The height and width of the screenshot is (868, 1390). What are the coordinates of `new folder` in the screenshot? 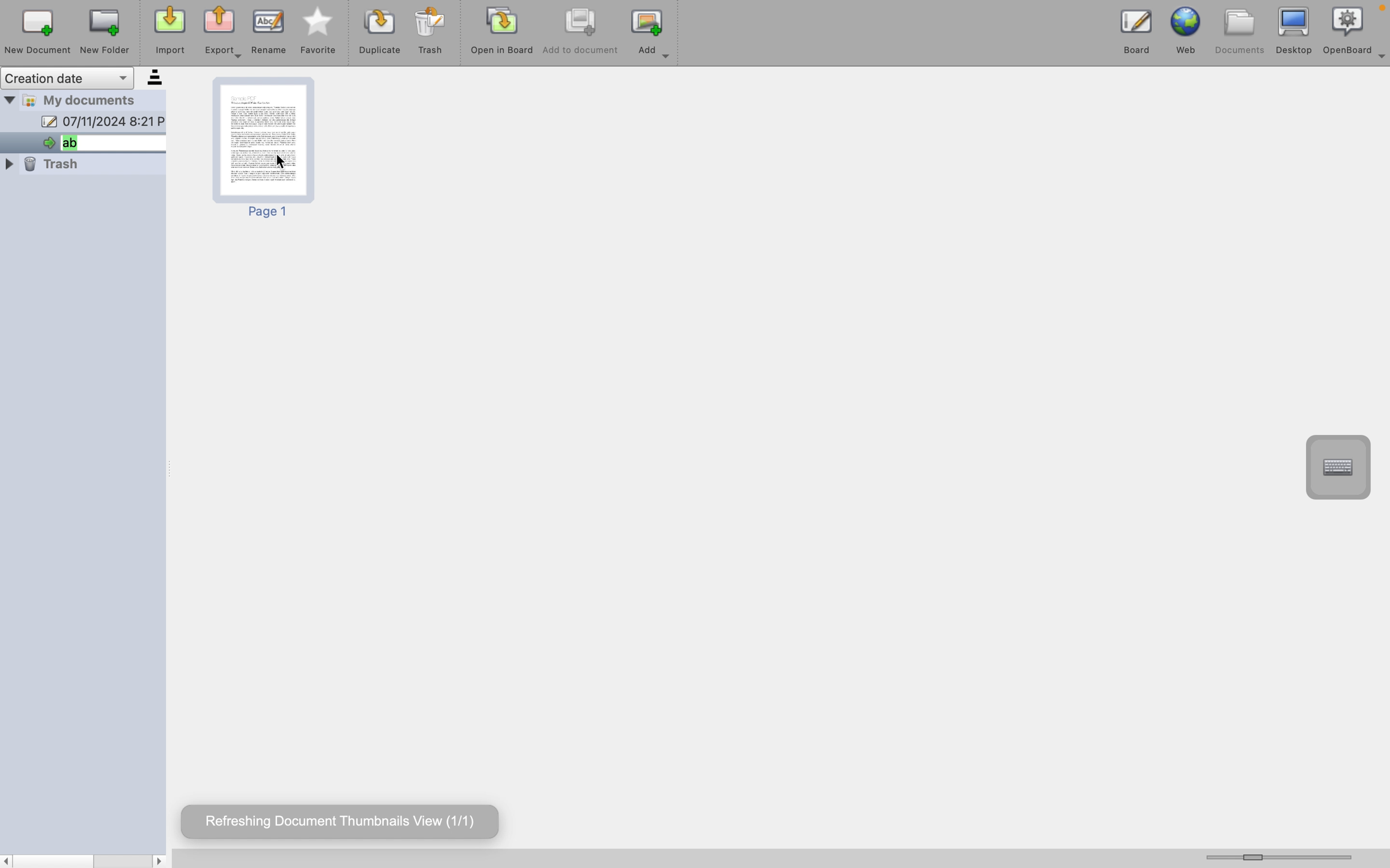 It's located at (104, 31).